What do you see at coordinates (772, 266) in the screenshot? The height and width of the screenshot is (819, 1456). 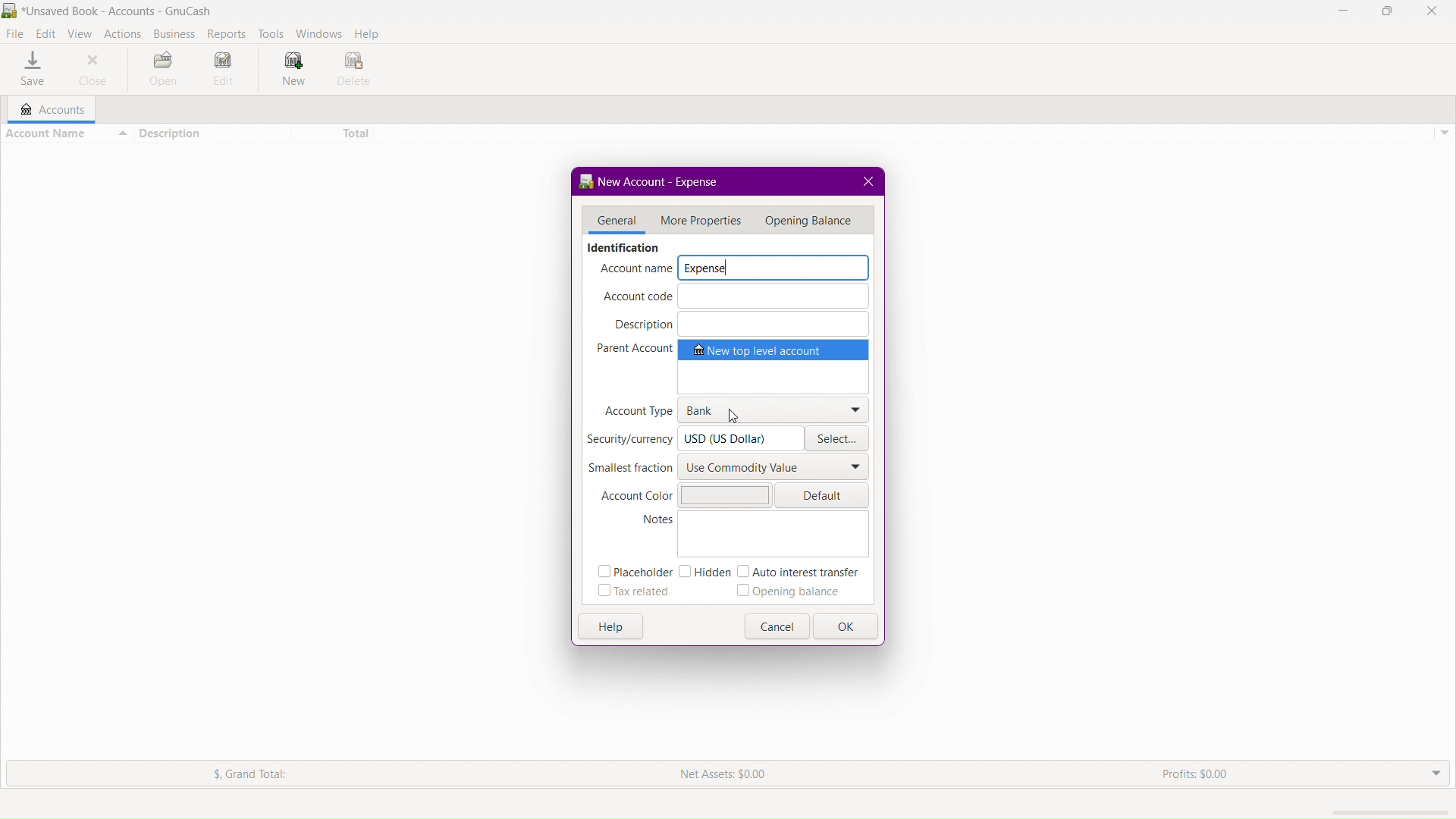 I see `Expense` at bounding box center [772, 266].